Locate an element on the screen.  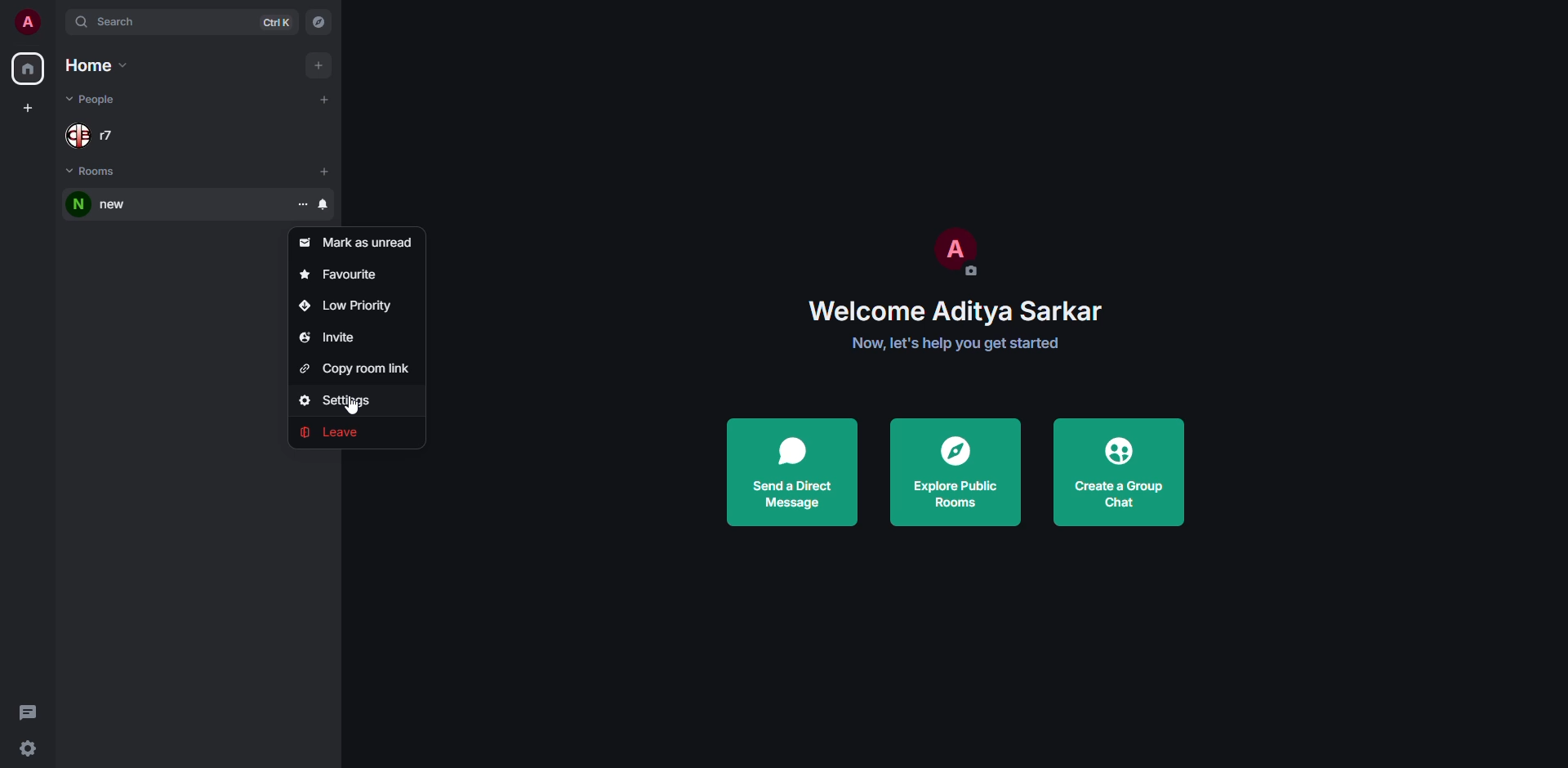
invite is located at coordinates (330, 338).